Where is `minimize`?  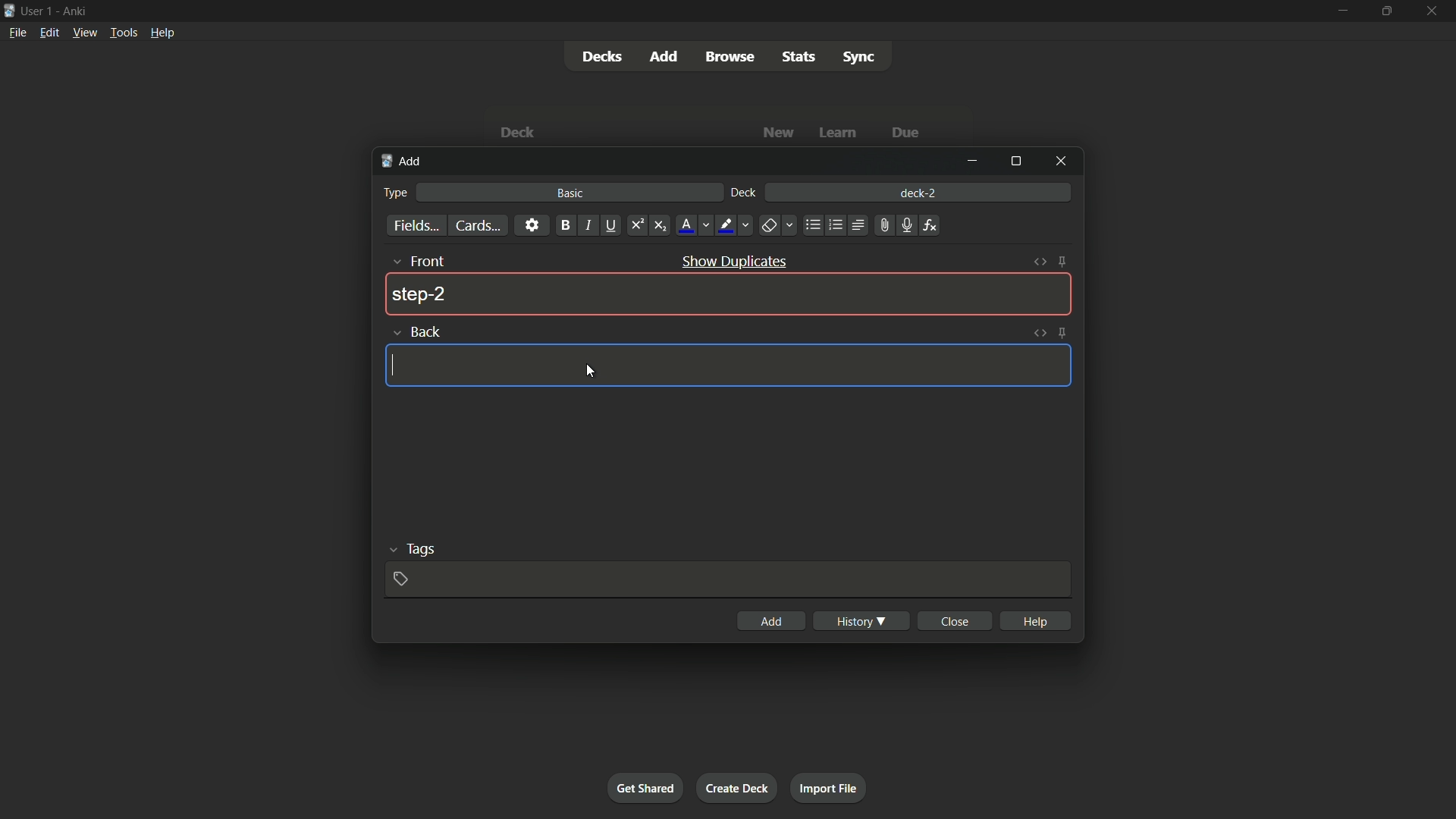
minimize is located at coordinates (976, 162).